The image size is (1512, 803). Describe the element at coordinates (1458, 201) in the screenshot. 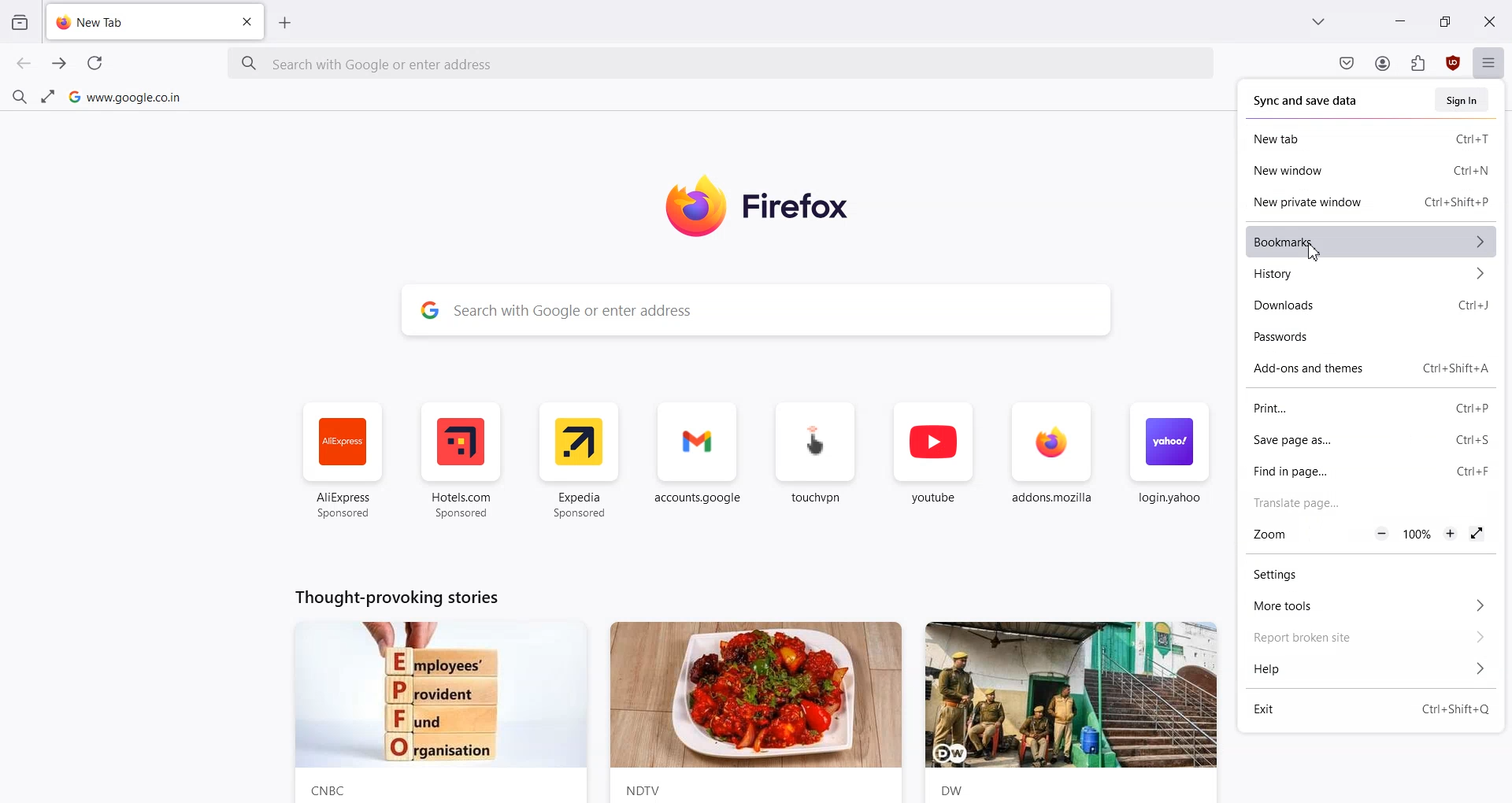

I see `Shortcut key` at that location.